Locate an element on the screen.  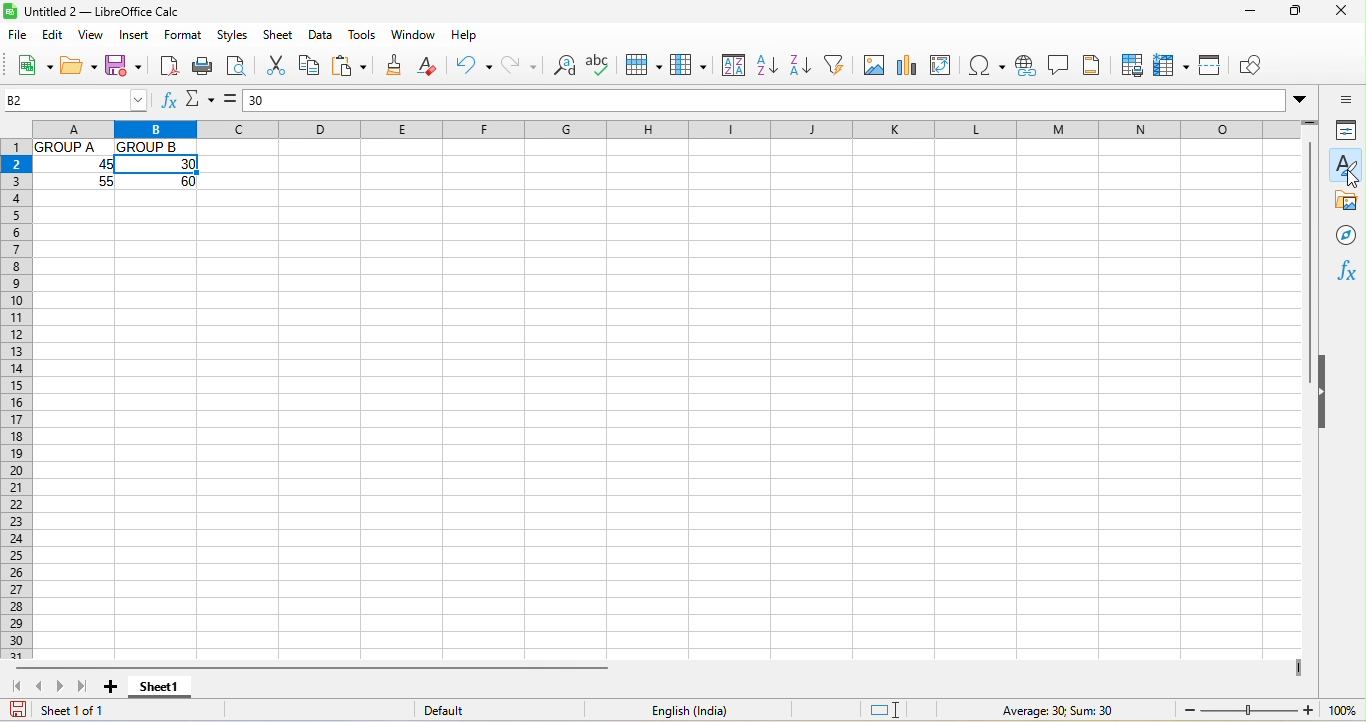
clone formatting is located at coordinates (397, 65).